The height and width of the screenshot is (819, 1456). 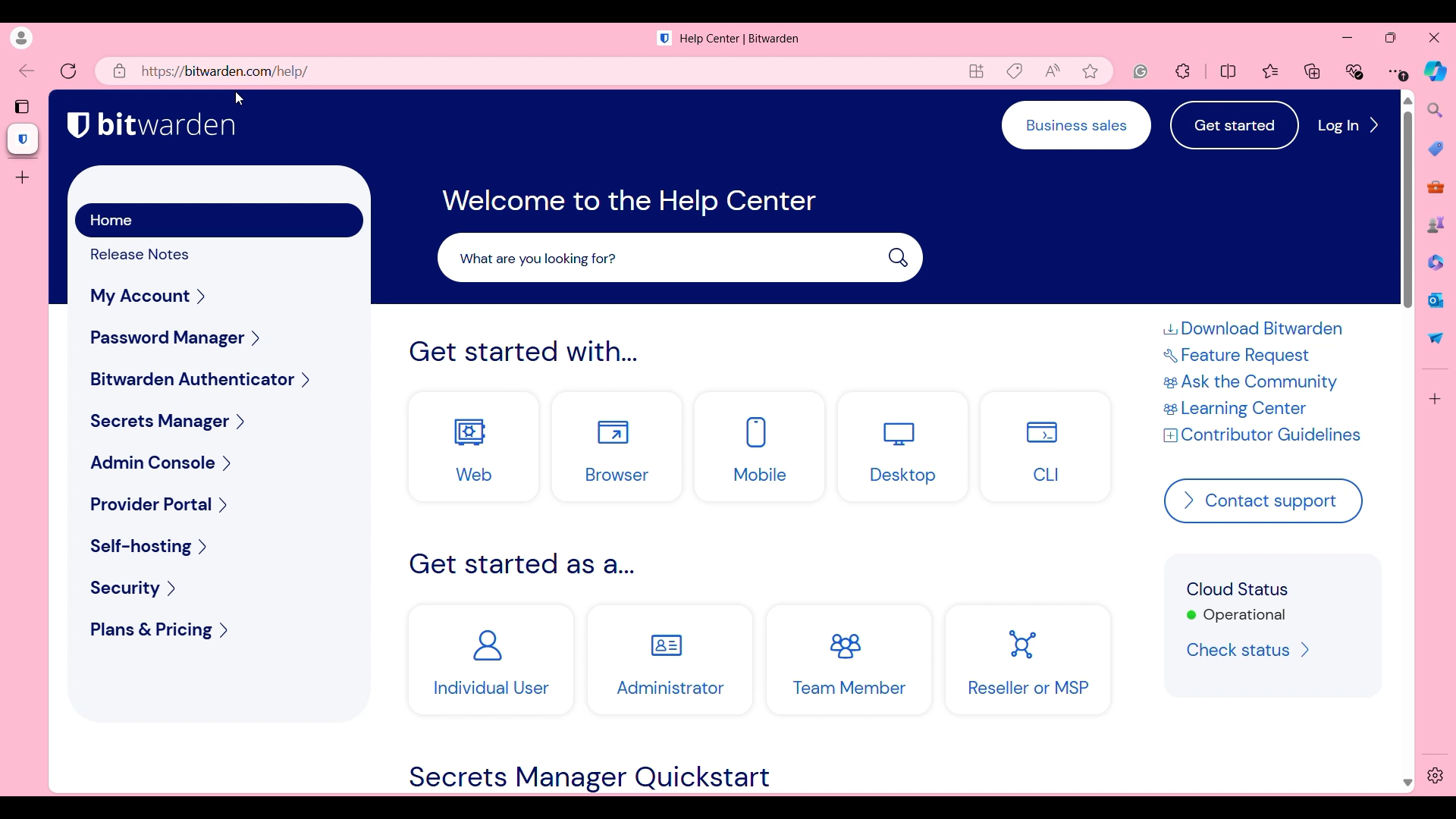 I want to click on CLI, so click(x=1046, y=447).